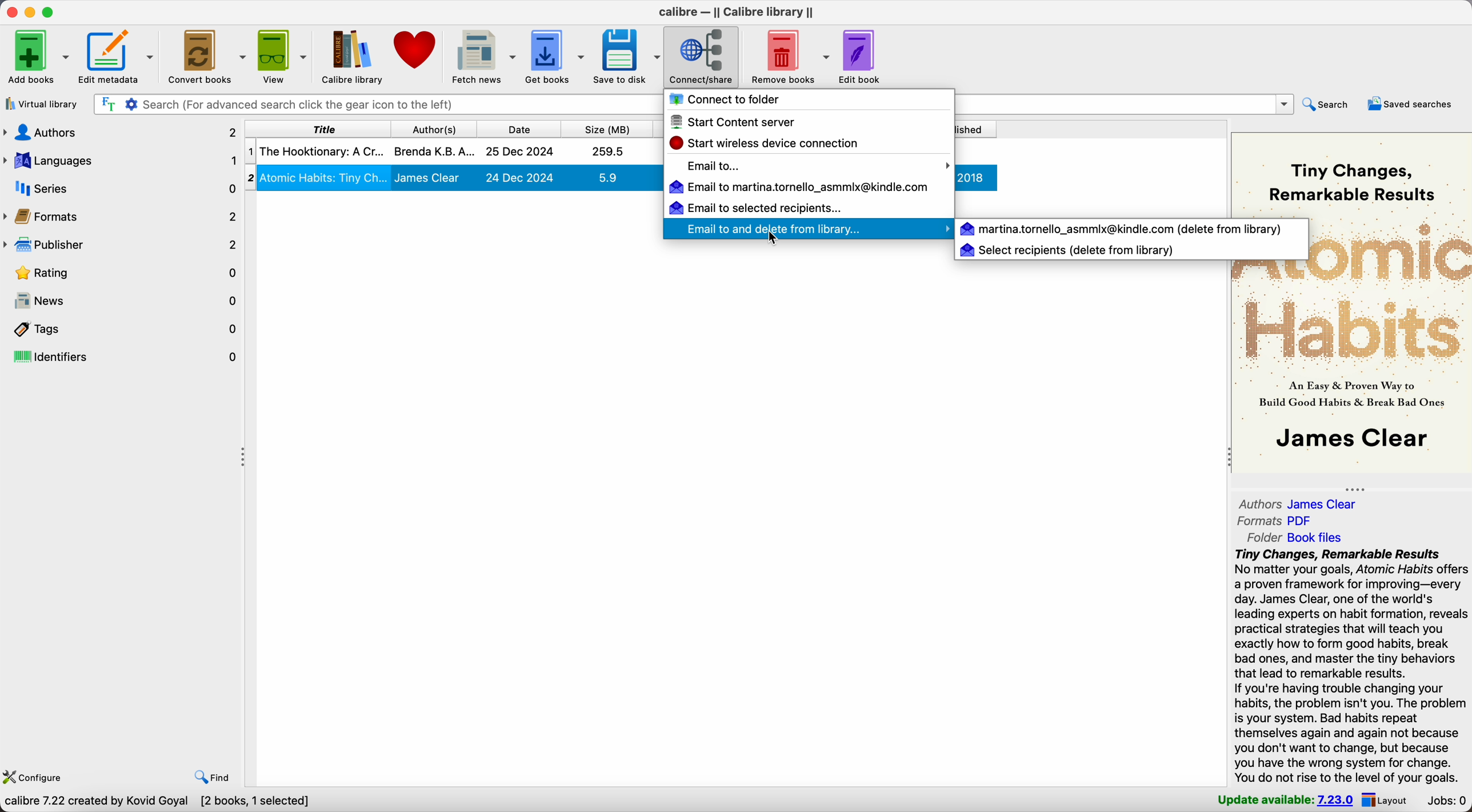 This screenshot has width=1472, height=812. Describe the element at coordinates (769, 143) in the screenshot. I see `start wireless device connection` at that location.